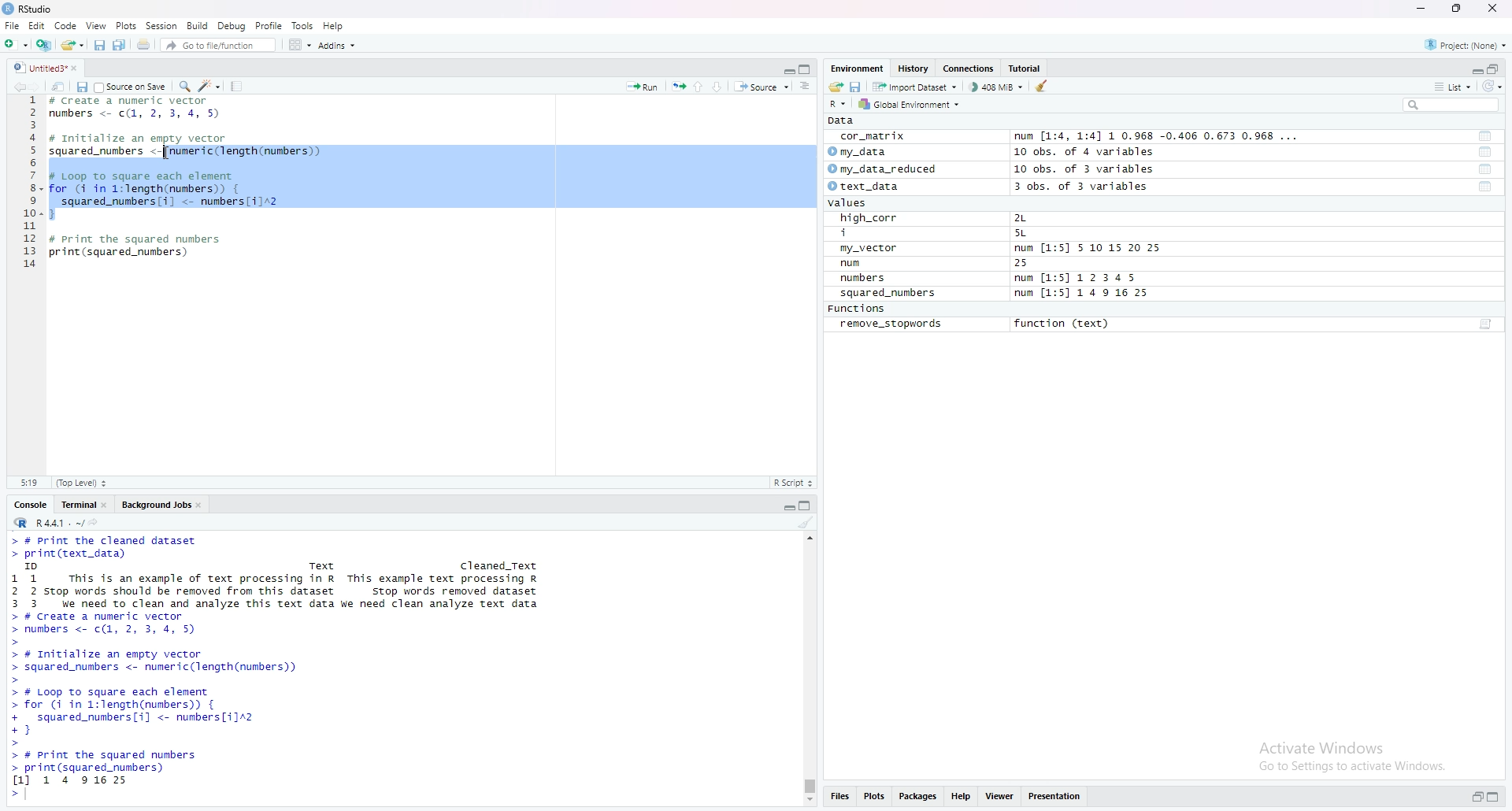 This screenshot has height=811, width=1512. I want to click on R Script, so click(793, 482).